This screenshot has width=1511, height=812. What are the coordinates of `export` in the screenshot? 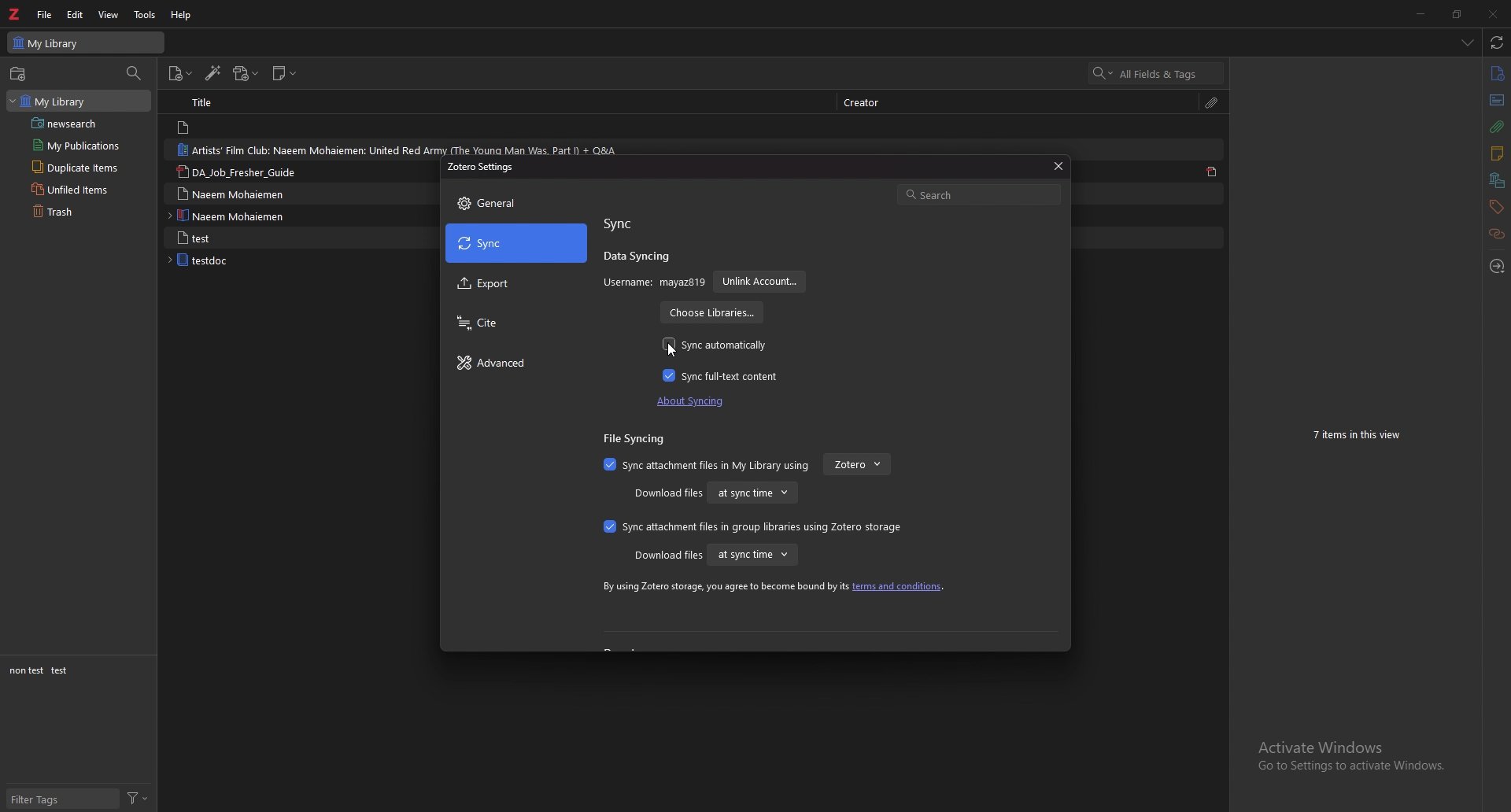 It's located at (516, 285).